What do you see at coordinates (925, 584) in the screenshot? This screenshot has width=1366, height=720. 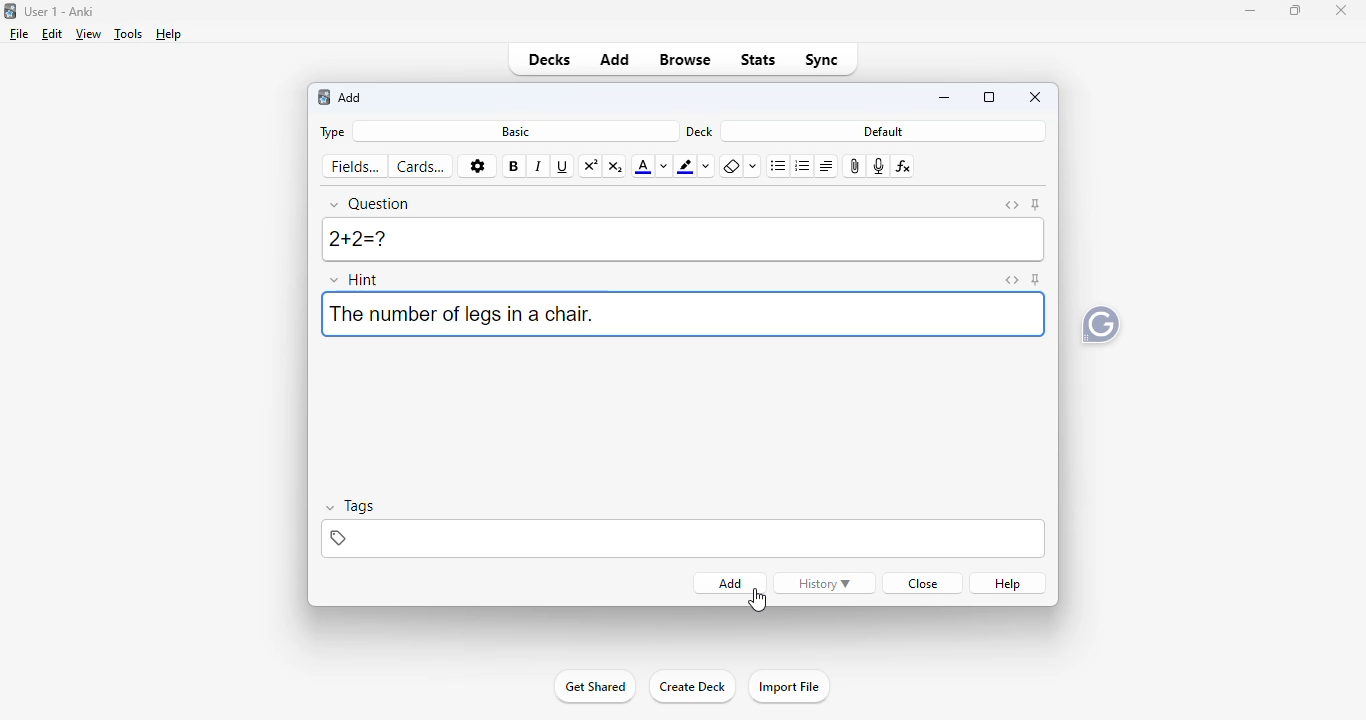 I see `close` at bounding box center [925, 584].